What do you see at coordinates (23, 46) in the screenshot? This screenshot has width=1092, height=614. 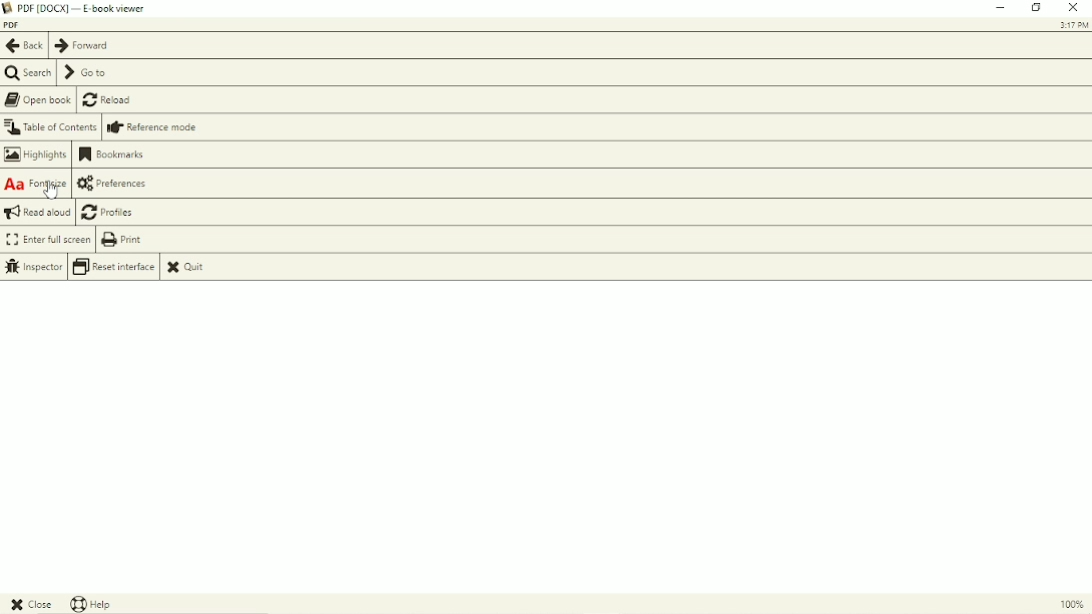 I see `Back` at bounding box center [23, 46].